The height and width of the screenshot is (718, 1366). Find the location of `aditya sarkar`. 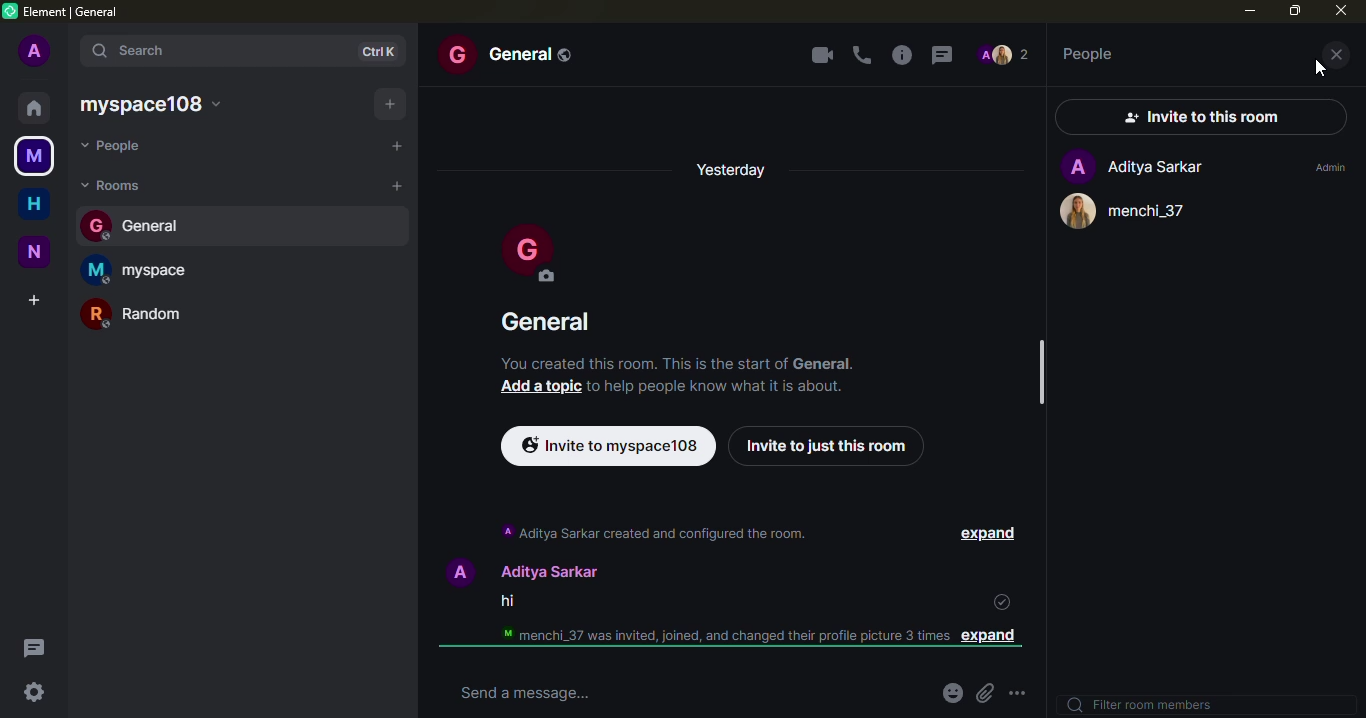

aditya sarkar is located at coordinates (1135, 165).